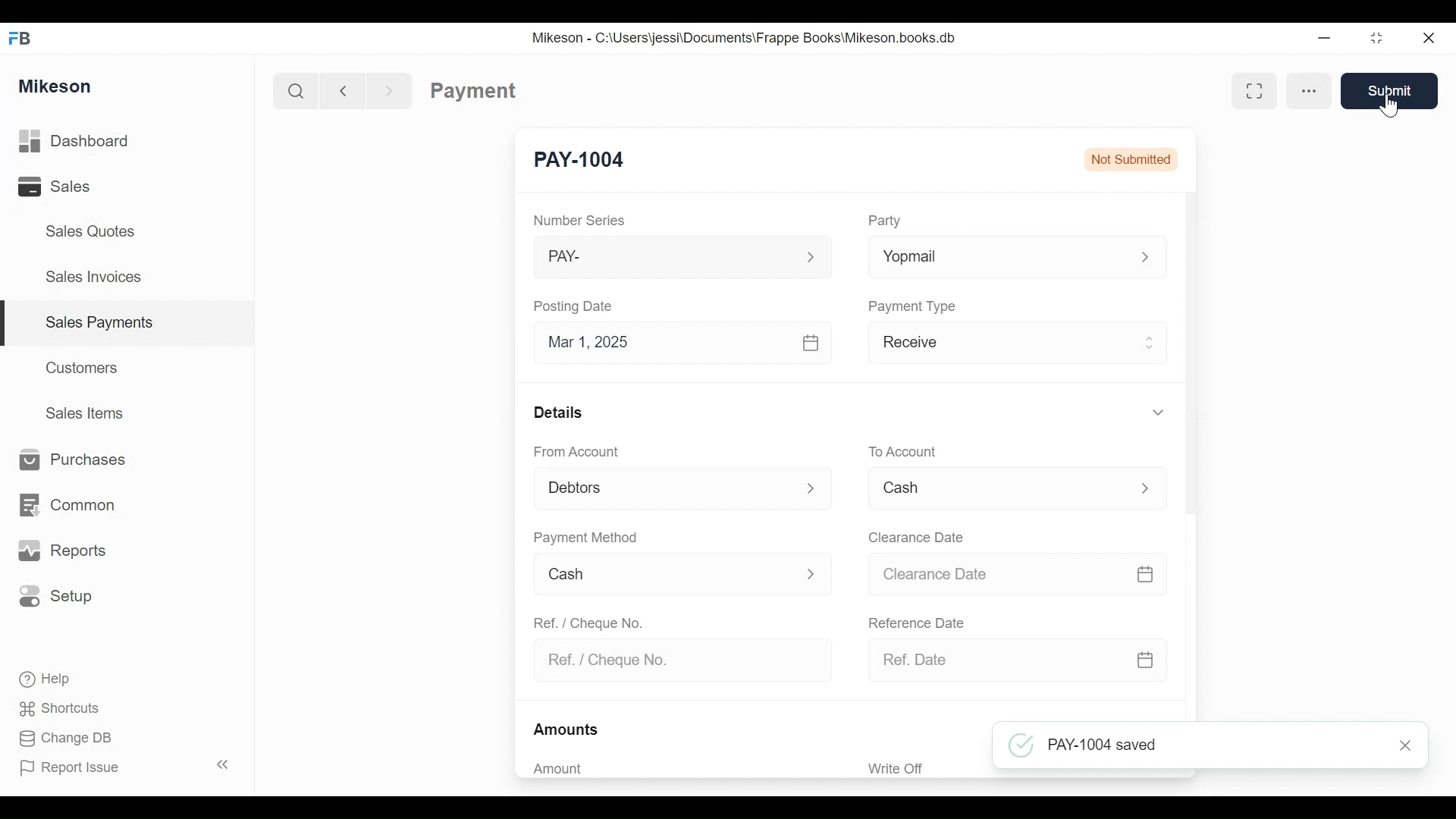 This screenshot has width=1456, height=819. Describe the element at coordinates (921, 536) in the screenshot. I see `Clearance date` at that location.